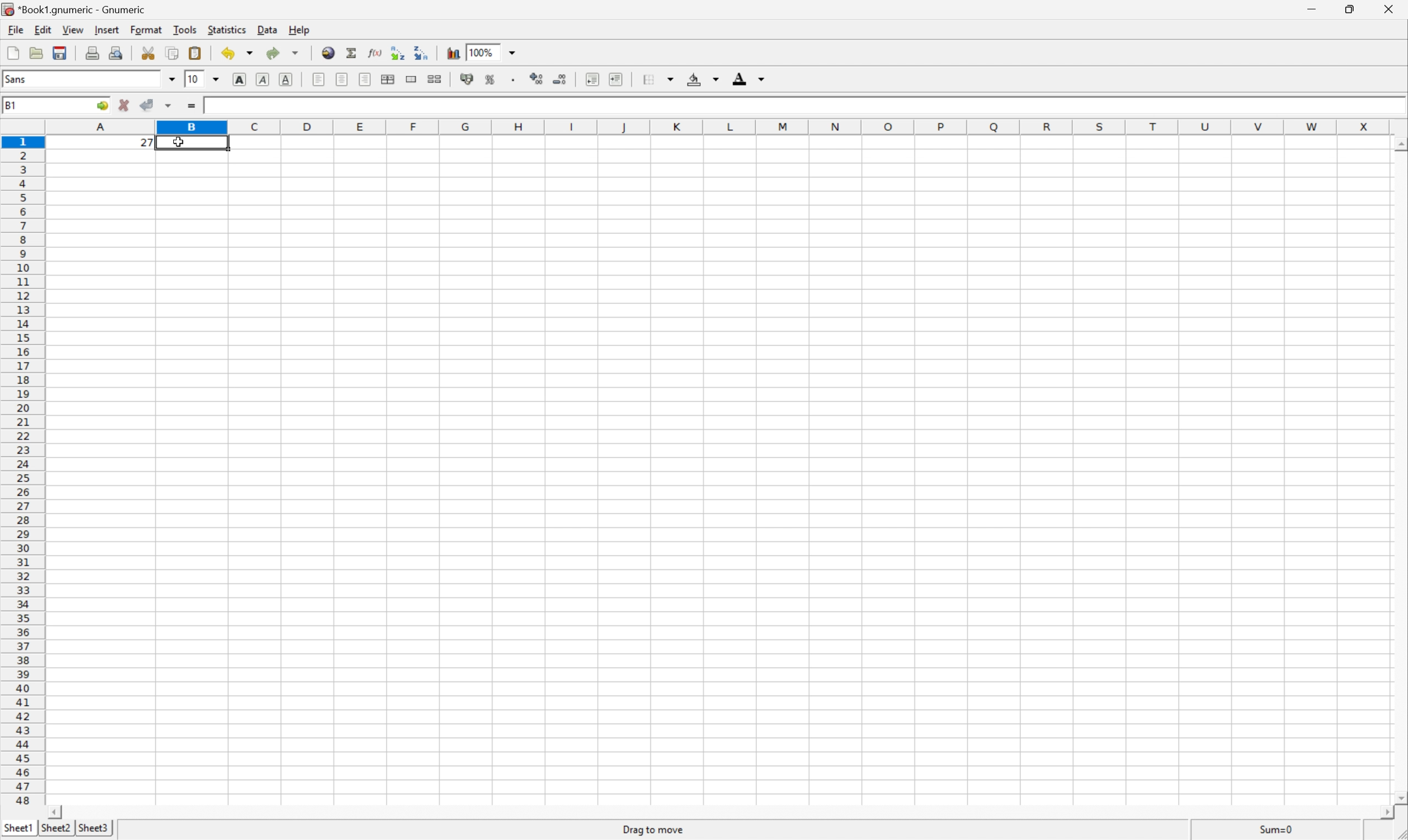 This screenshot has width=1408, height=840. What do you see at coordinates (365, 79) in the screenshot?
I see `Align Right` at bounding box center [365, 79].